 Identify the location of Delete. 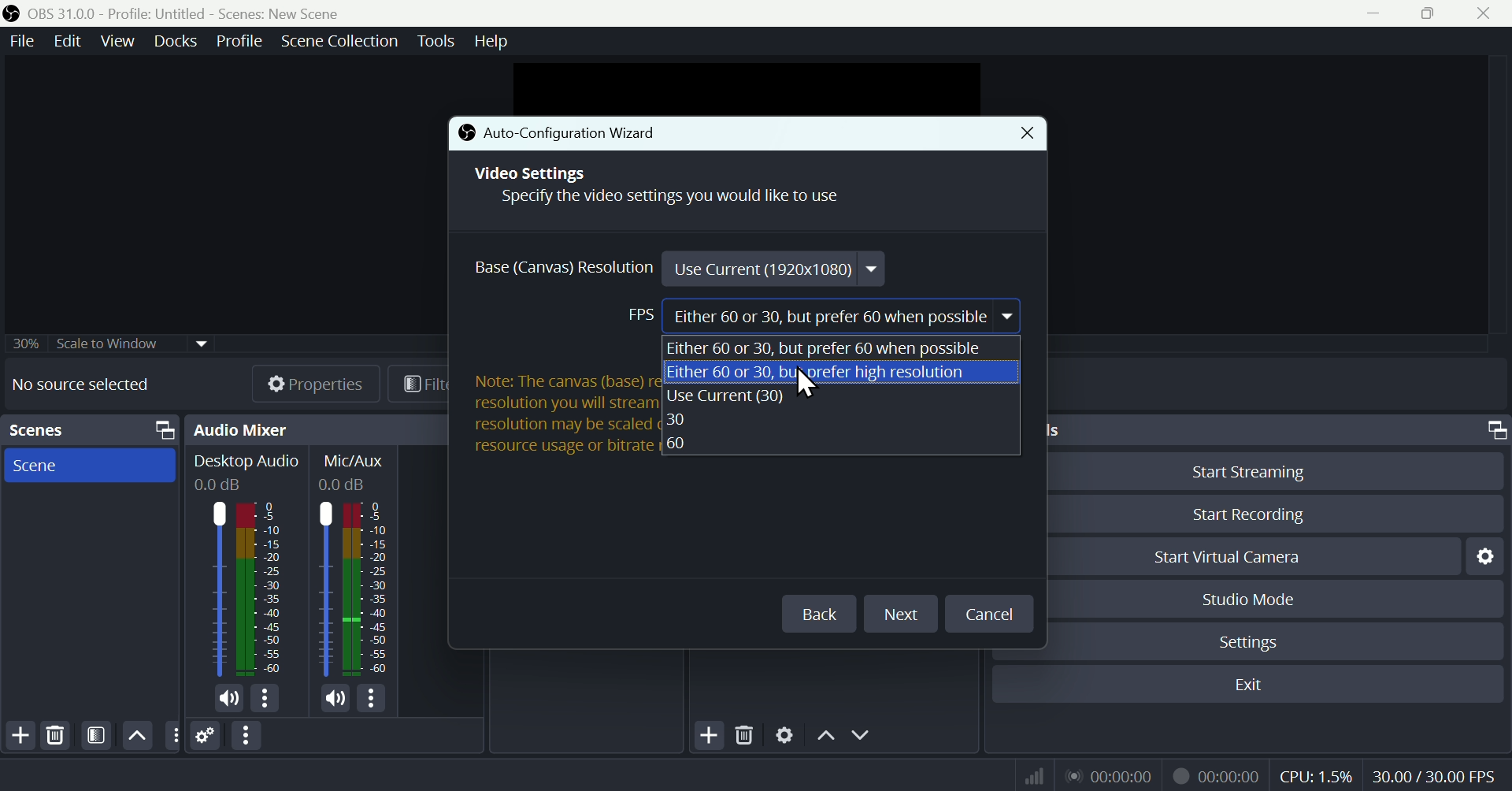
(745, 732).